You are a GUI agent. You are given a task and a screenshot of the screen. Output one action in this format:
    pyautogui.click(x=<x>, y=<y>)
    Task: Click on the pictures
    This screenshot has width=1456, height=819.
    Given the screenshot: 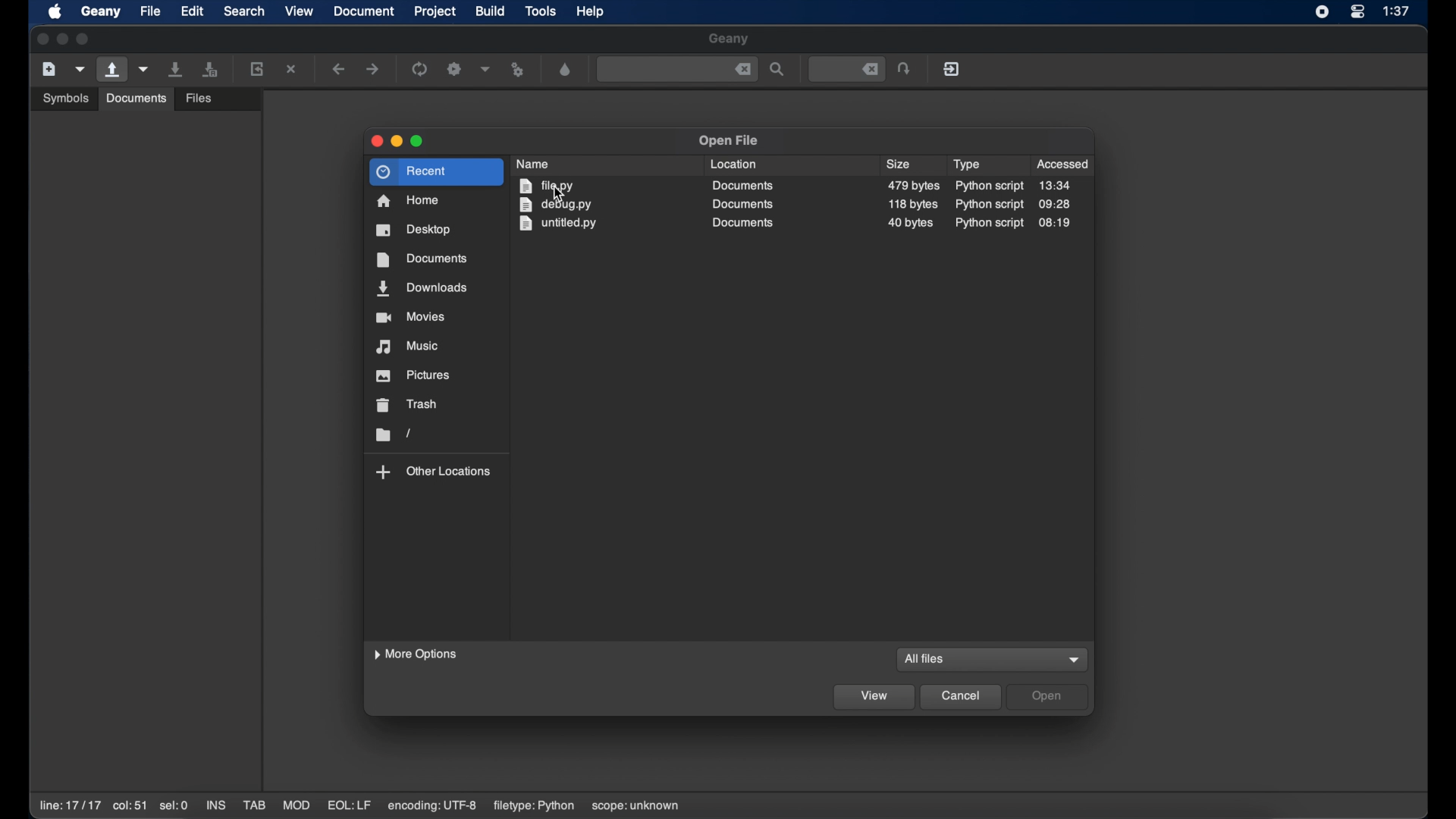 What is the action you would take?
    pyautogui.click(x=414, y=375)
    